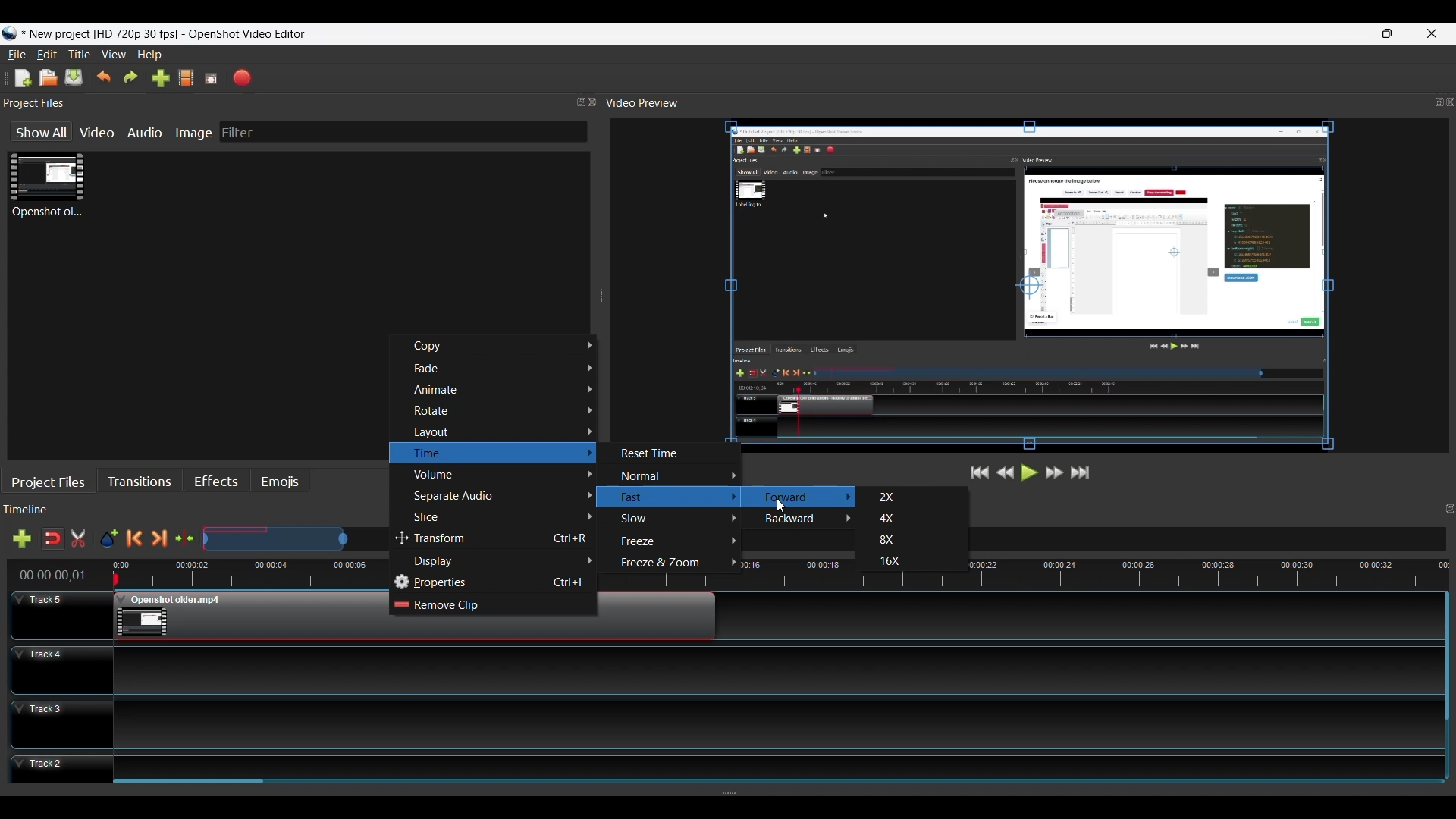  I want to click on Previous Marker, so click(134, 539).